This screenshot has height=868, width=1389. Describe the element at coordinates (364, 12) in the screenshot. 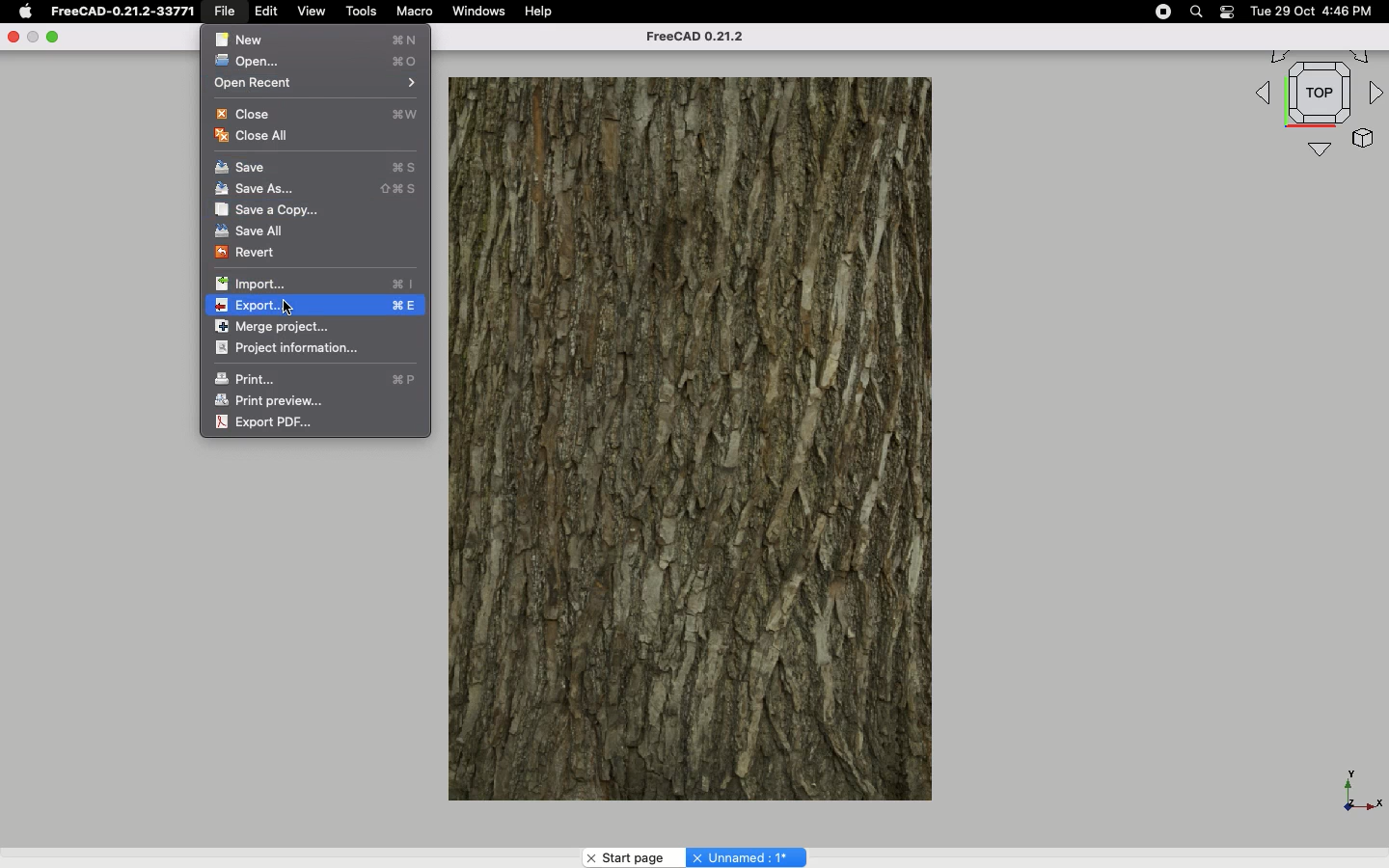

I see `Tools` at that location.